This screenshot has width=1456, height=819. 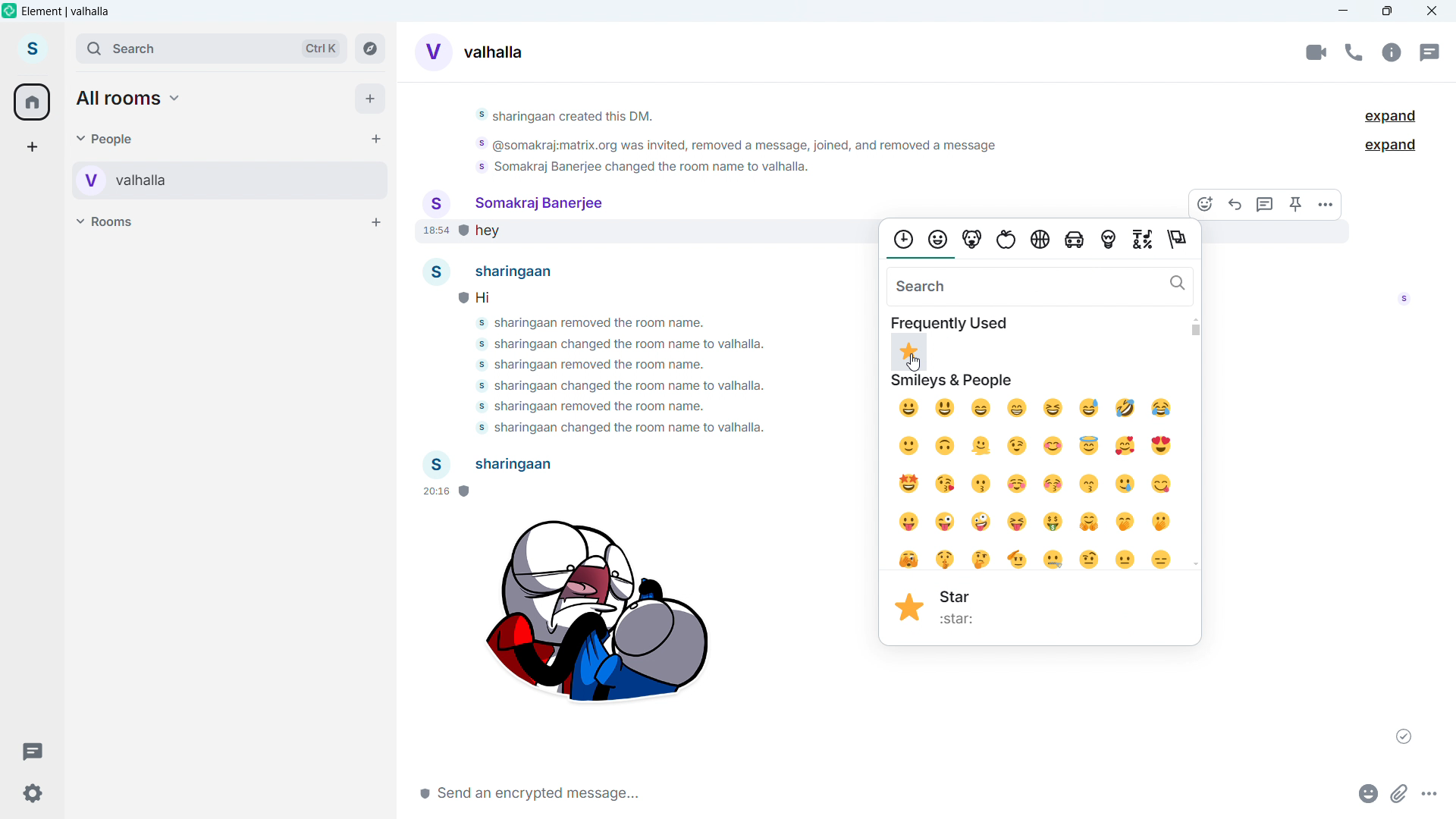 I want to click on Vertical scroll bar, so click(x=1448, y=554).